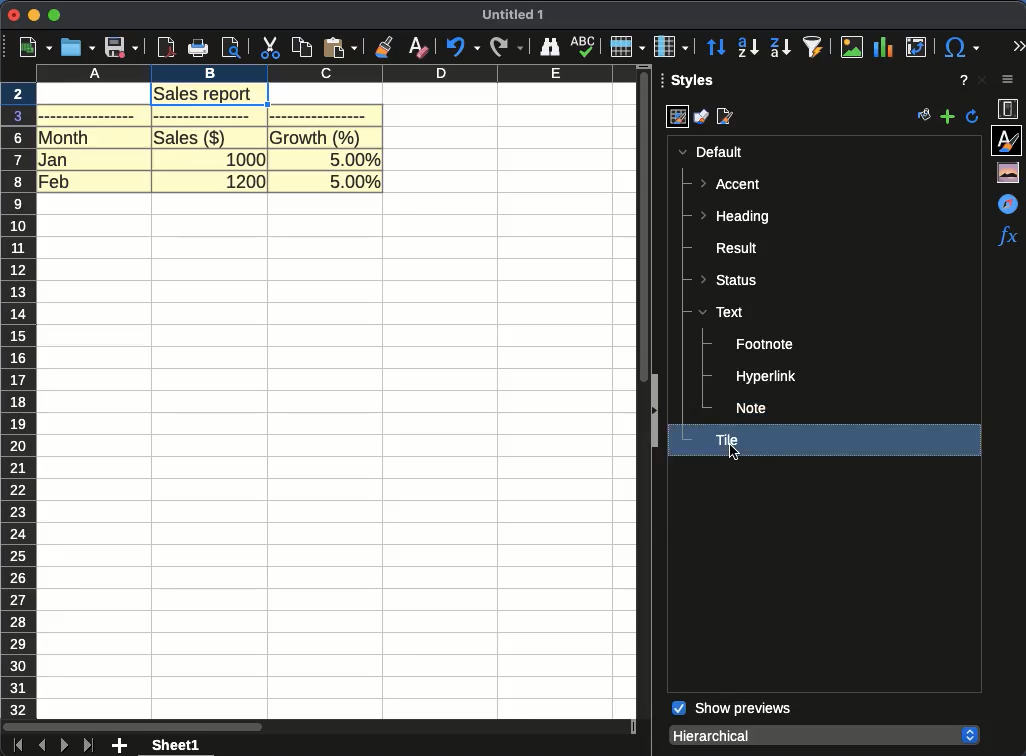  I want to click on footnote, so click(765, 345).